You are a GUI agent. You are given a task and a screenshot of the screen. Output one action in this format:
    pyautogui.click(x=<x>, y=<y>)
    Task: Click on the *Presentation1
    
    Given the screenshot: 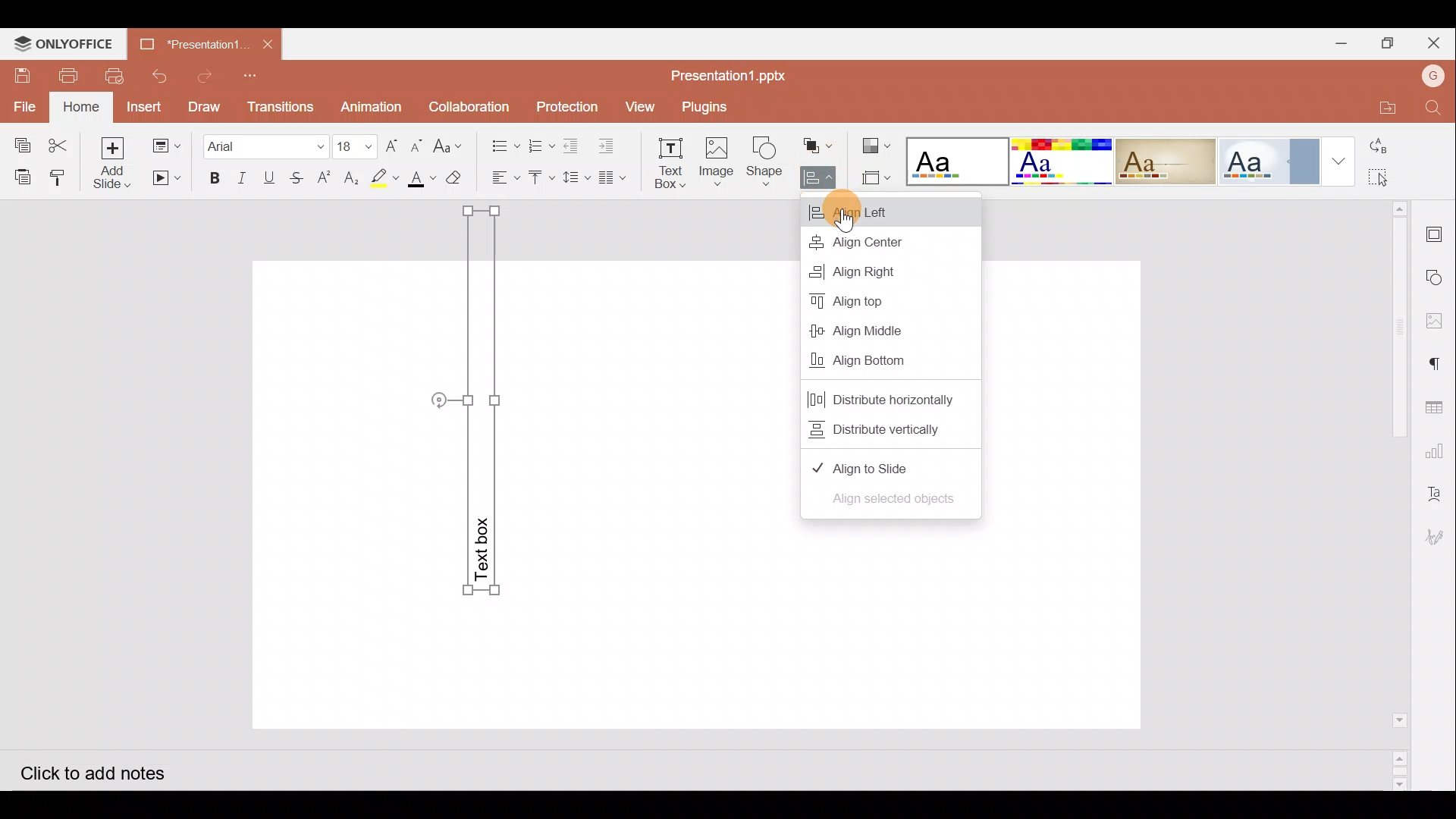 What is the action you would take?
    pyautogui.click(x=193, y=40)
    